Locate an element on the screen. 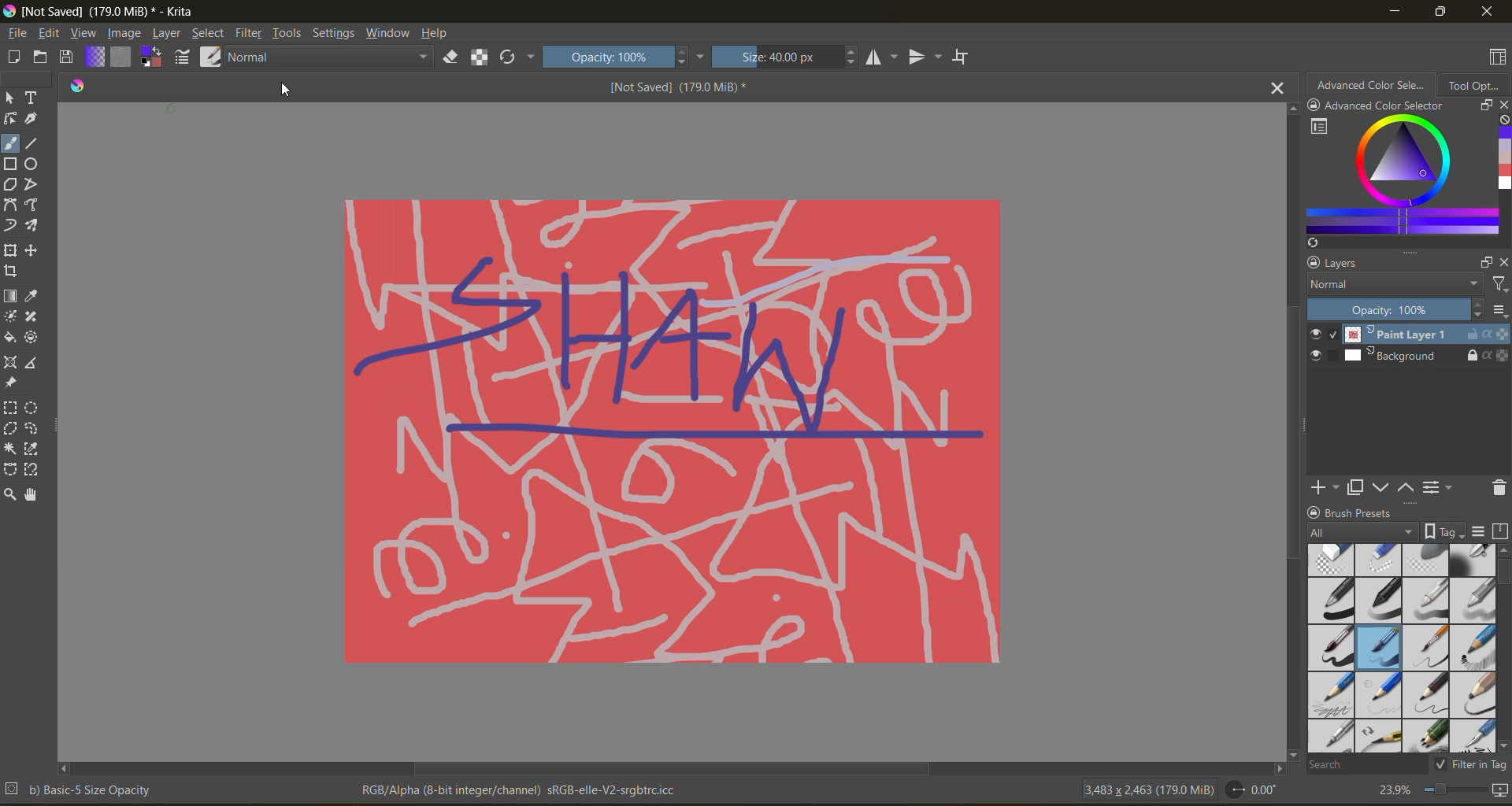 The image size is (1512, 806). file is located at coordinates (17, 33).